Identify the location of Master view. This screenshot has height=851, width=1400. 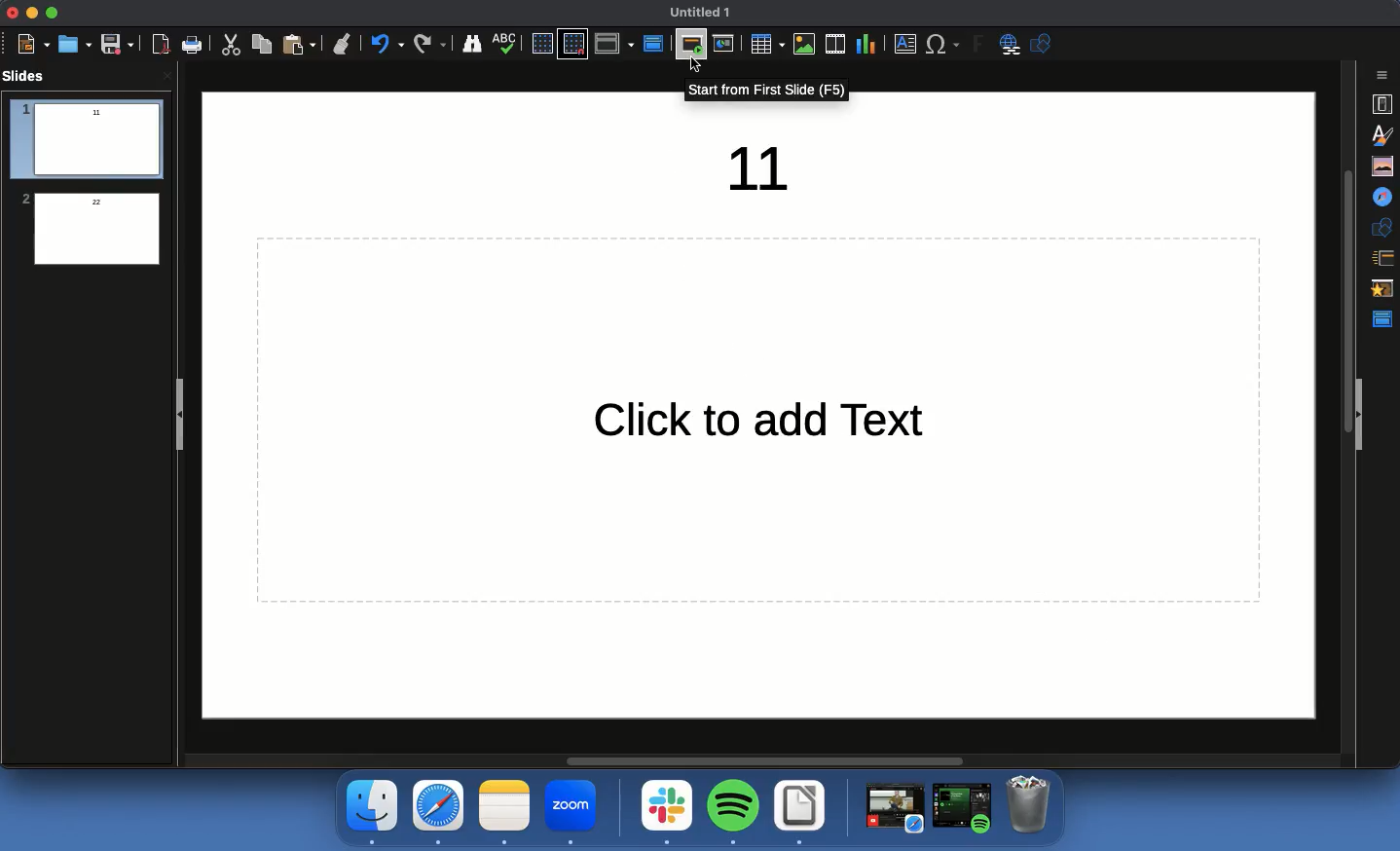
(1383, 320).